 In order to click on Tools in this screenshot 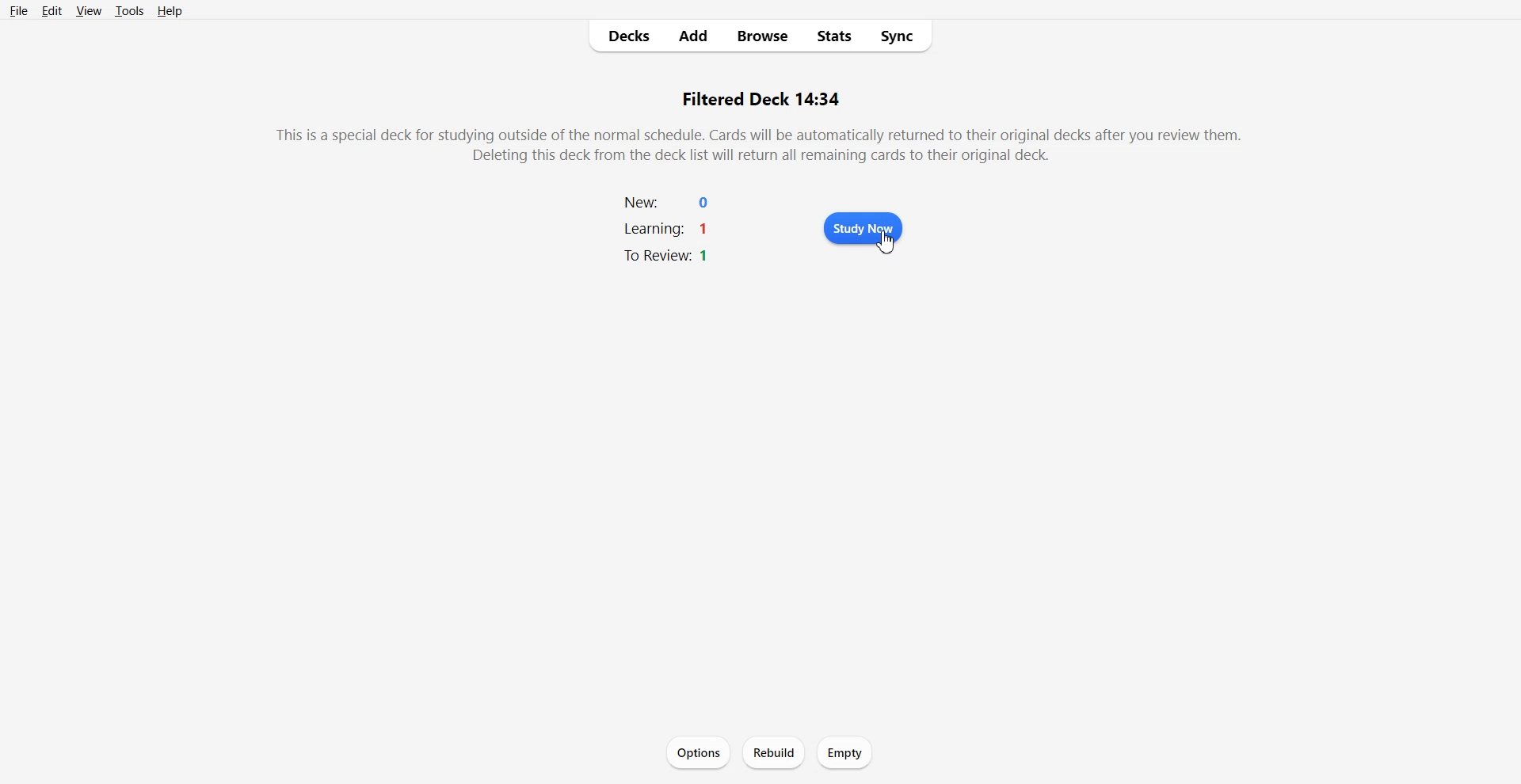, I will do `click(130, 10)`.